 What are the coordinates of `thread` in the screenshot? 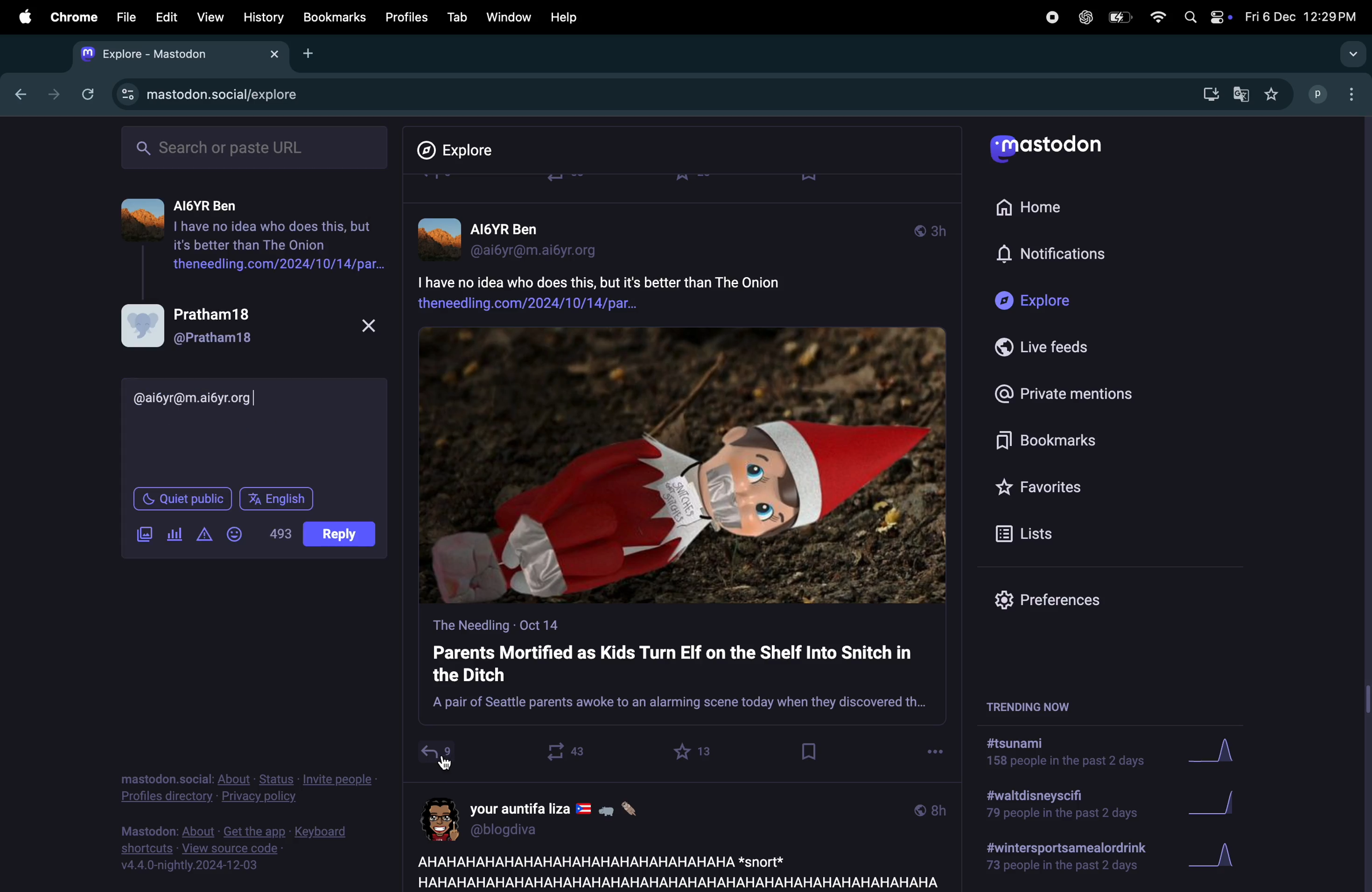 It's located at (257, 228).